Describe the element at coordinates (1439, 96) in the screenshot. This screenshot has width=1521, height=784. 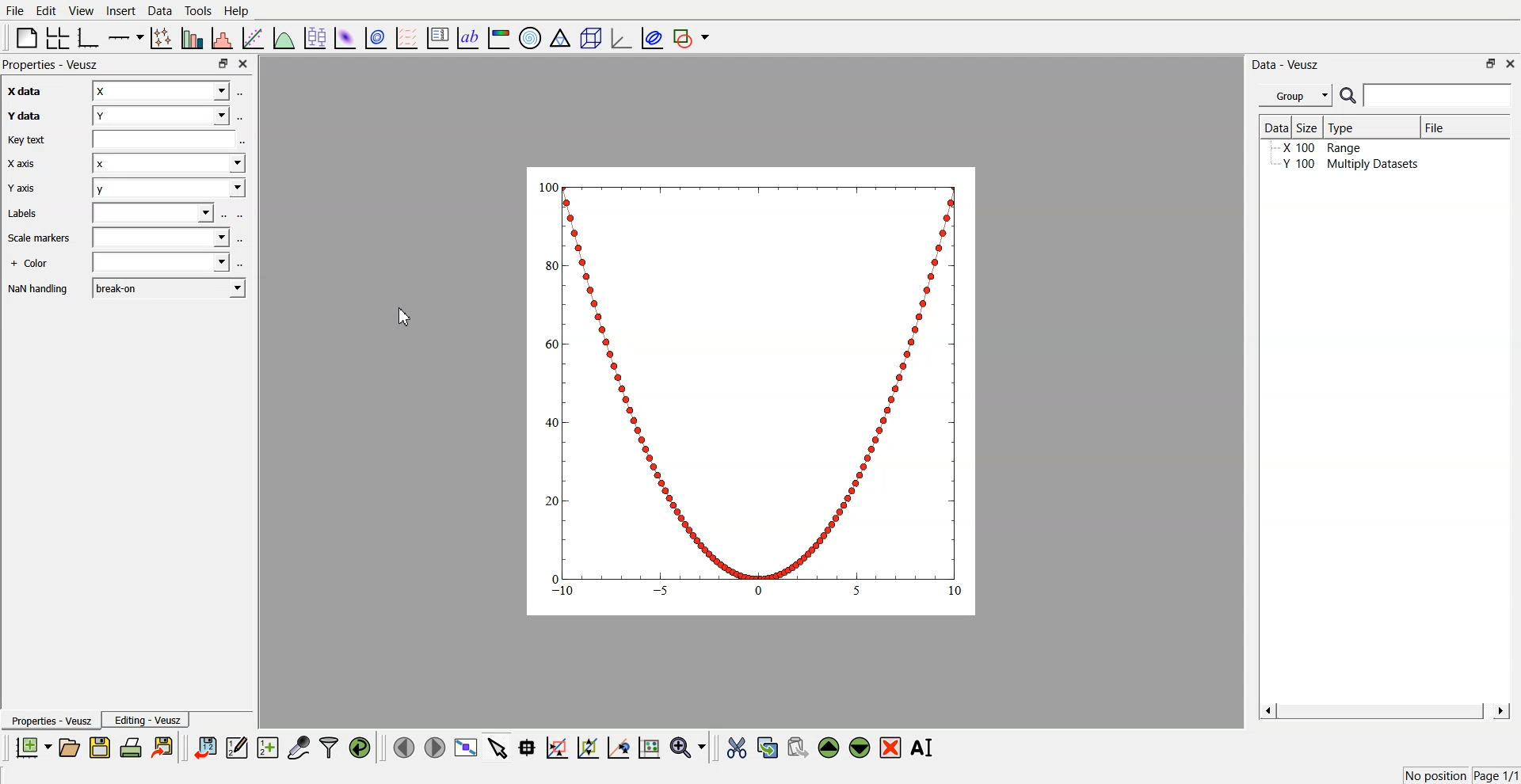
I see `enter search field` at that location.